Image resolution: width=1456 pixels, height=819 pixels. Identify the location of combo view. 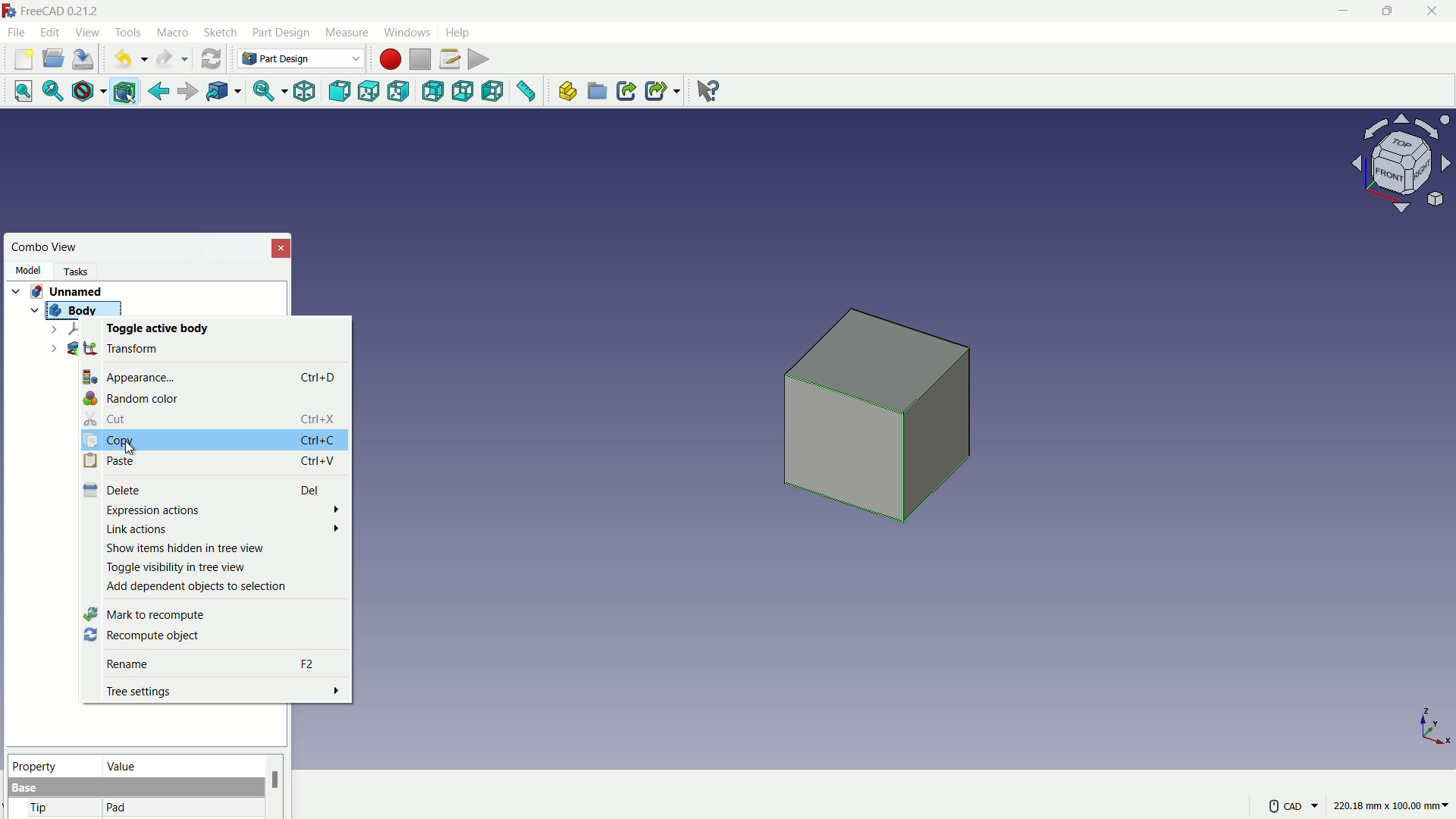
(45, 247).